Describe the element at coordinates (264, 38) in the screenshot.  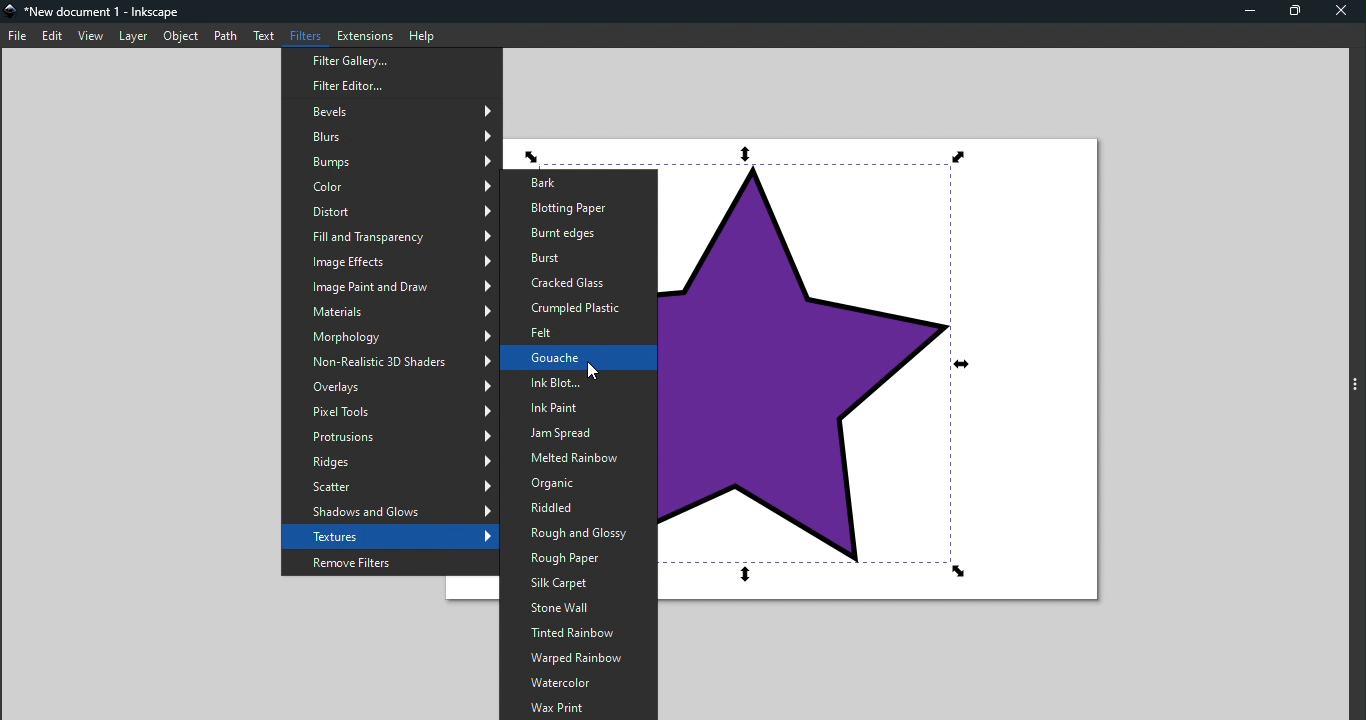
I see `Text` at that location.